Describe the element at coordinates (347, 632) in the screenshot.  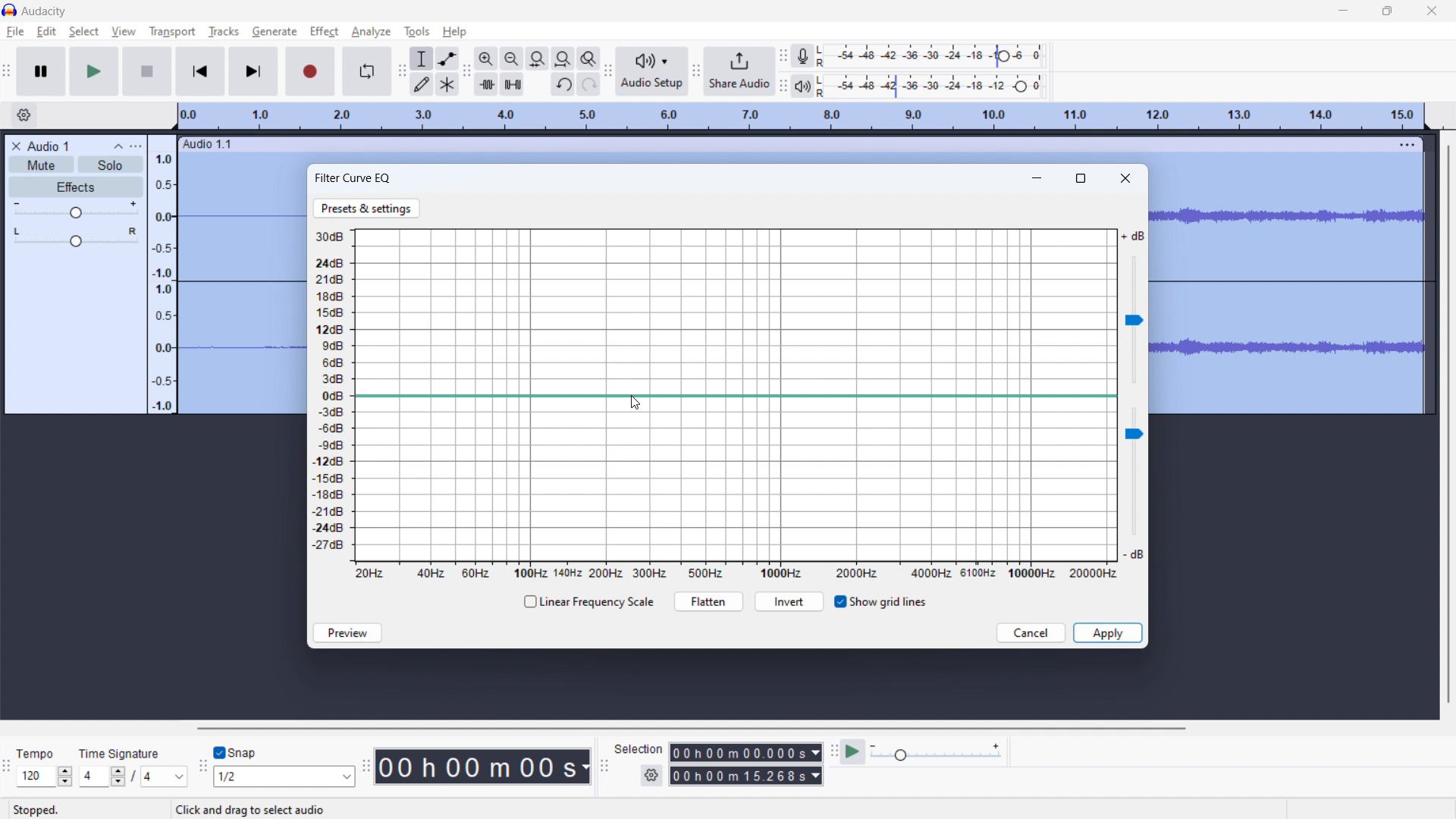
I see `preview` at that location.